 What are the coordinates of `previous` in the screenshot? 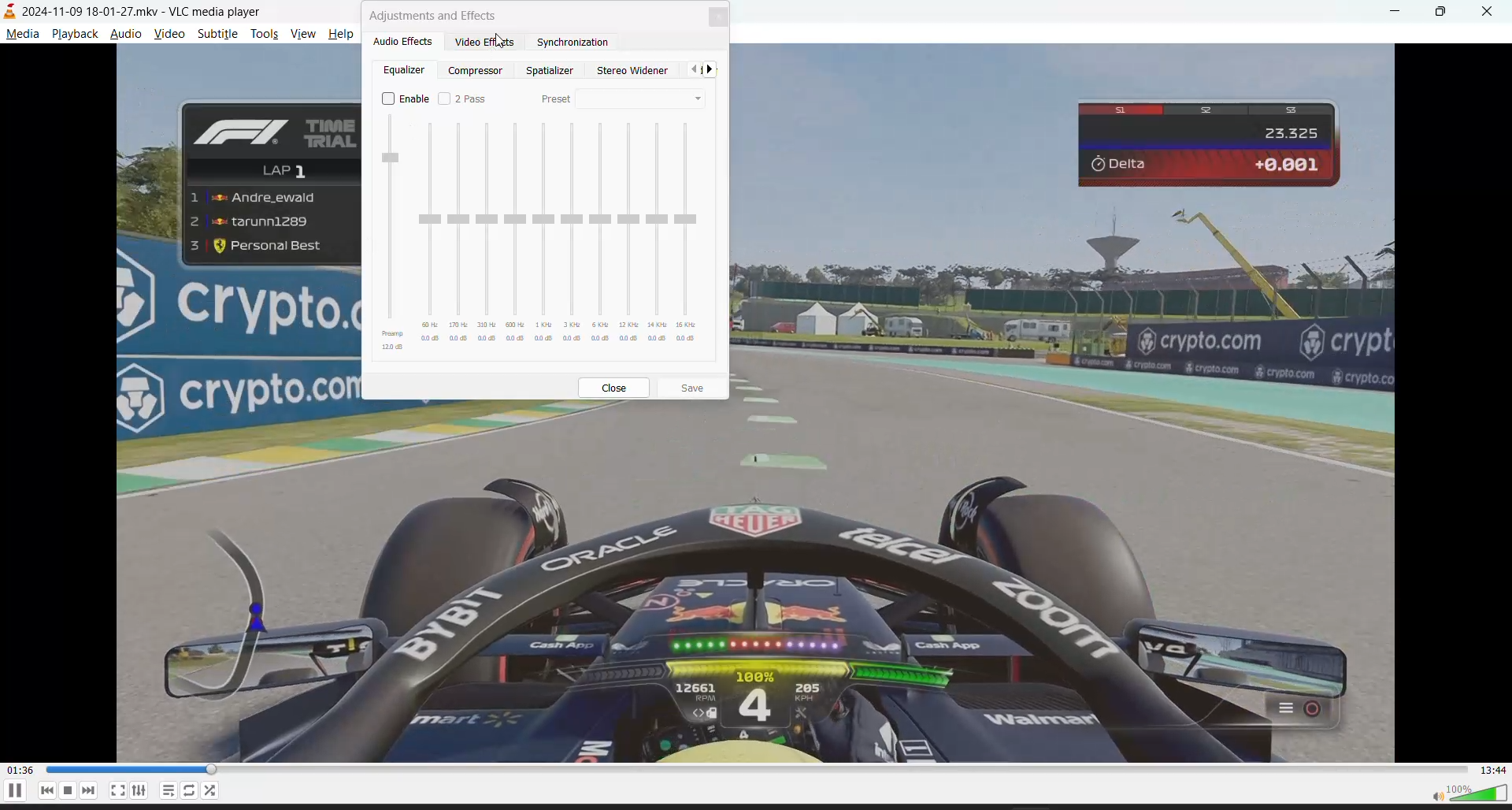 It's located at (46, 791).